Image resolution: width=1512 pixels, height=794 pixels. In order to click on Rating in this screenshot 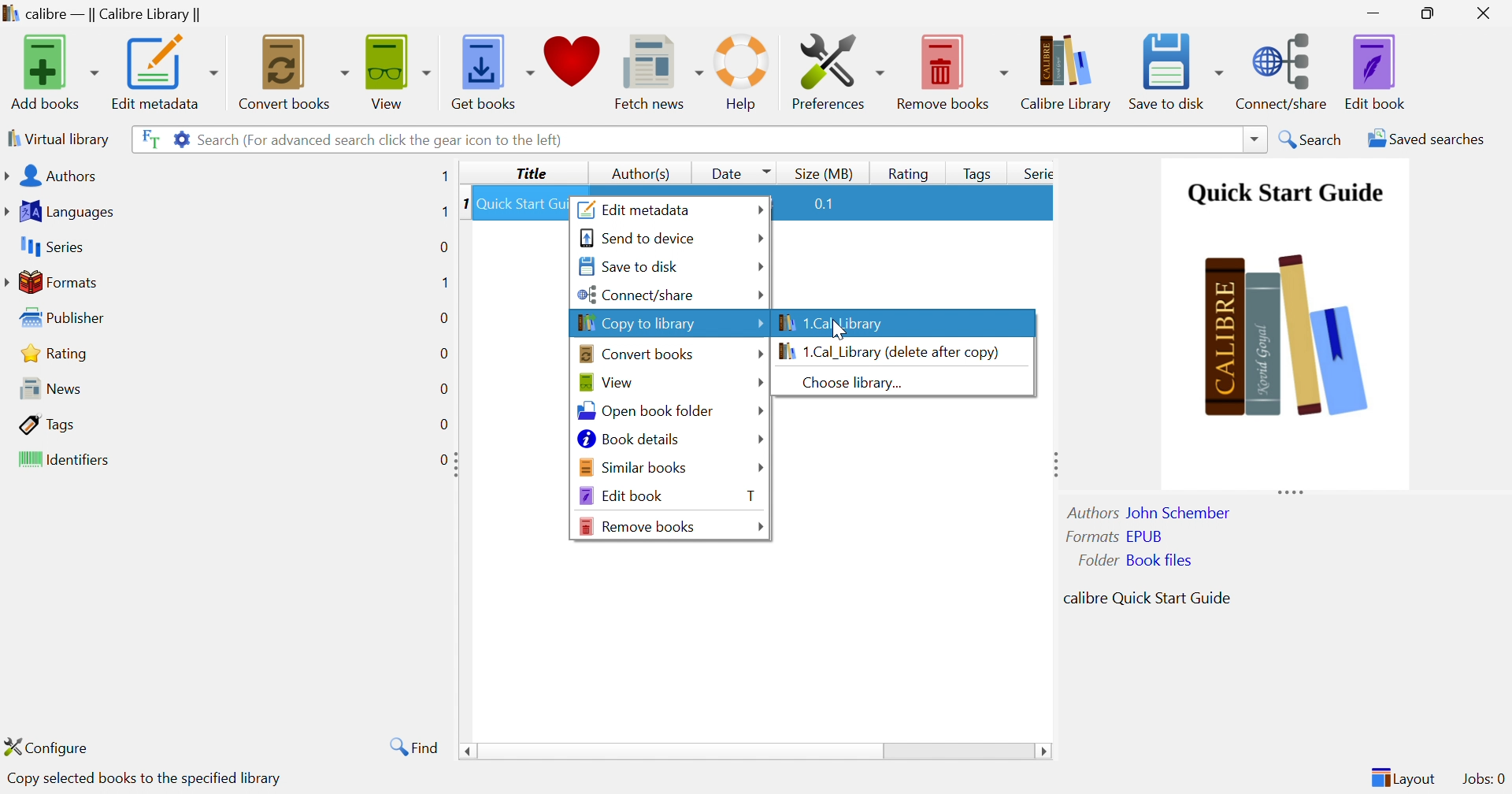, I will do `click(51, 353)`.